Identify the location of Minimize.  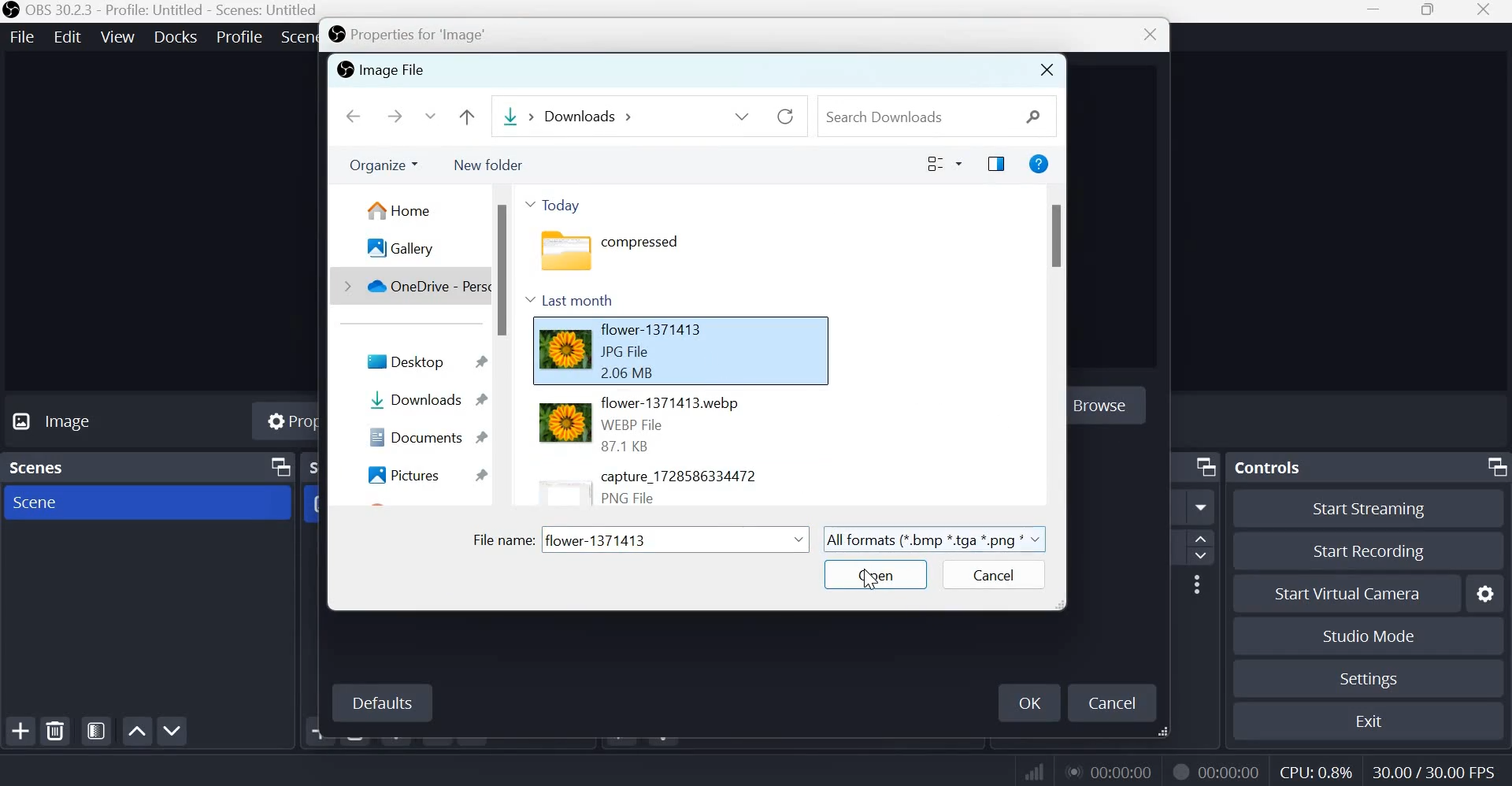
(1376, 11).